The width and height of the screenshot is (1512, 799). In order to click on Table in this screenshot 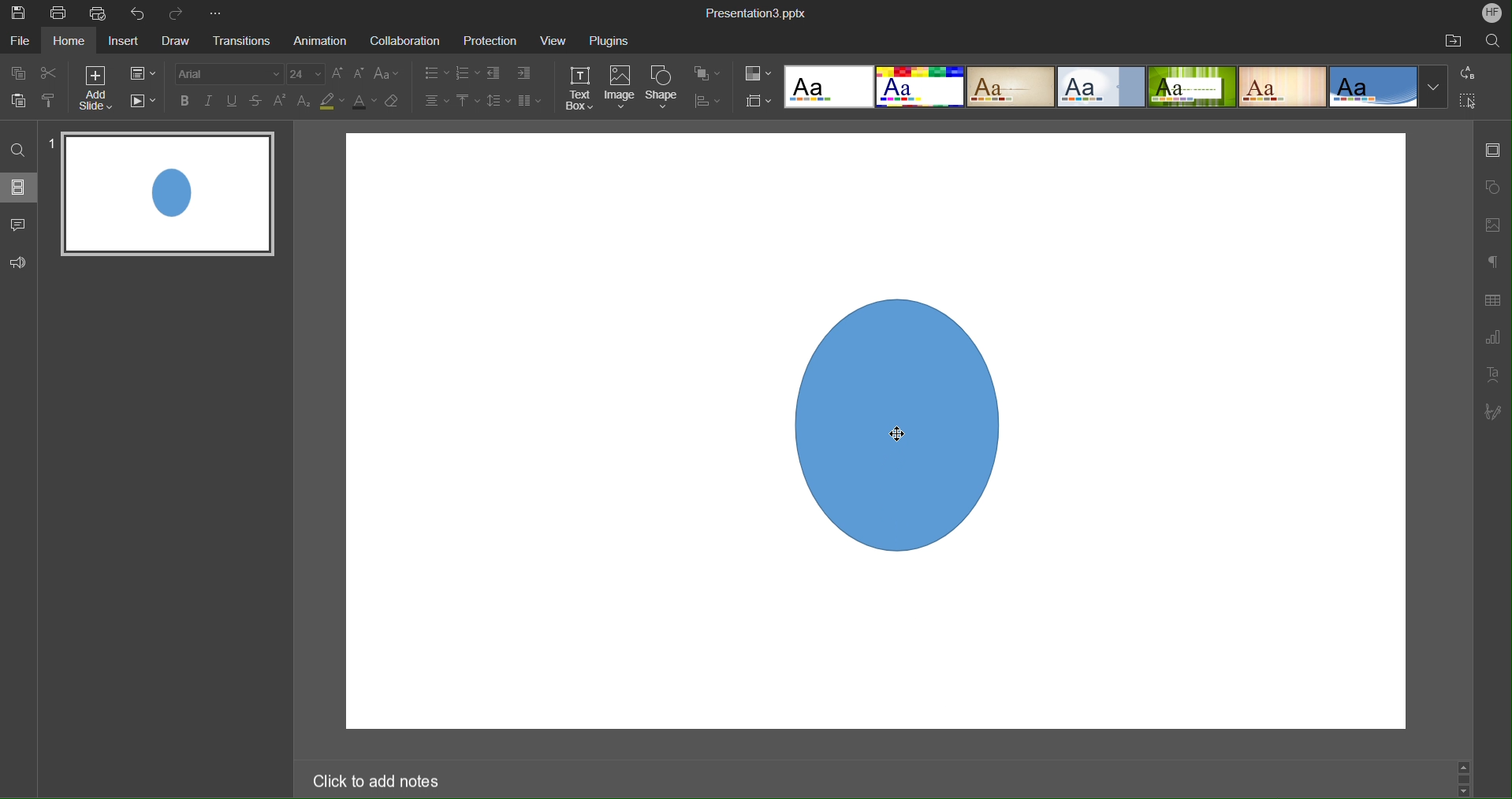, I will do `click(1493, 299)`.